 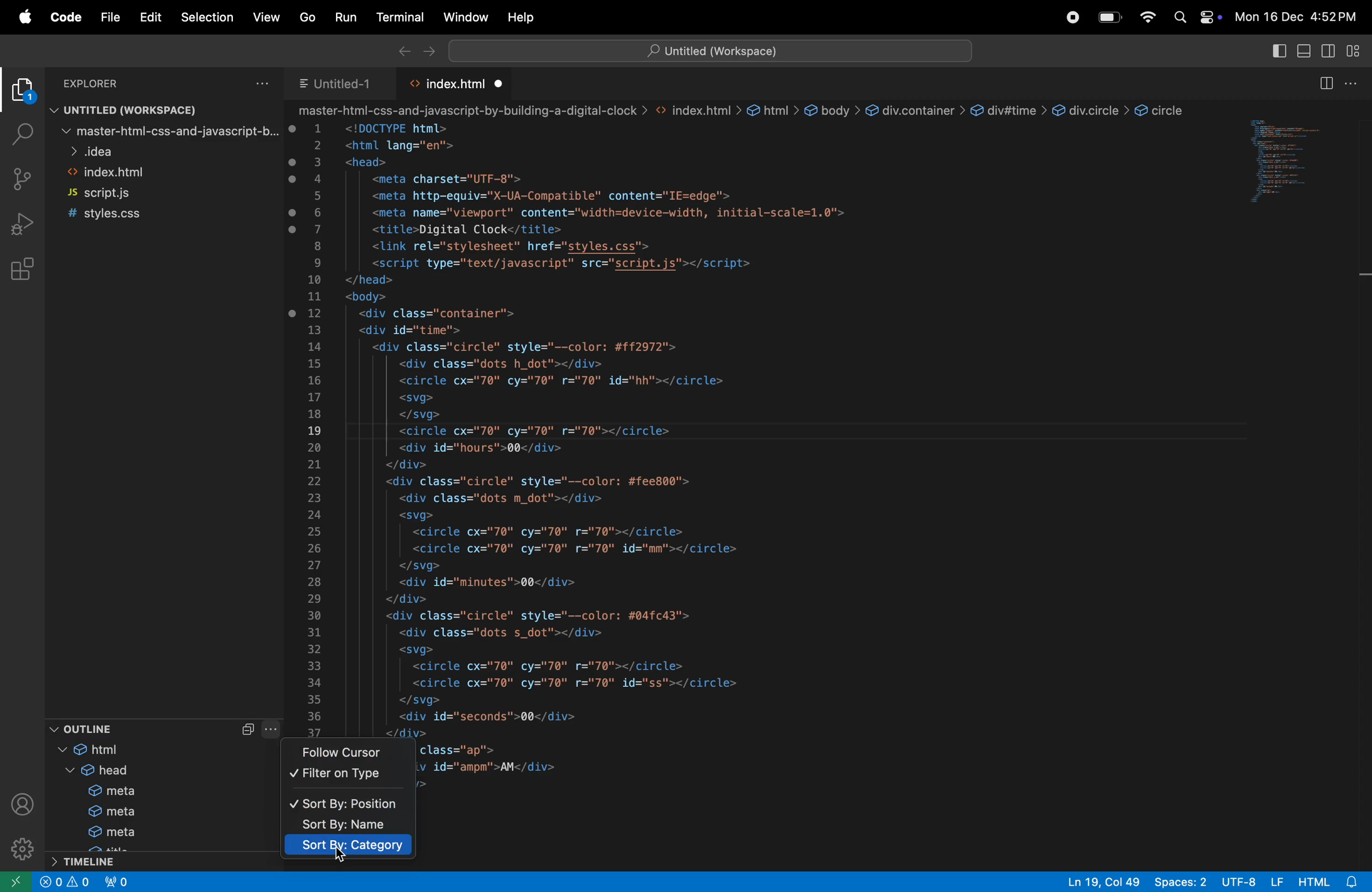 What do you see at coordinates (344, 826) in the screenshot?
I see `sort by name` at bounding box center [344, 826].